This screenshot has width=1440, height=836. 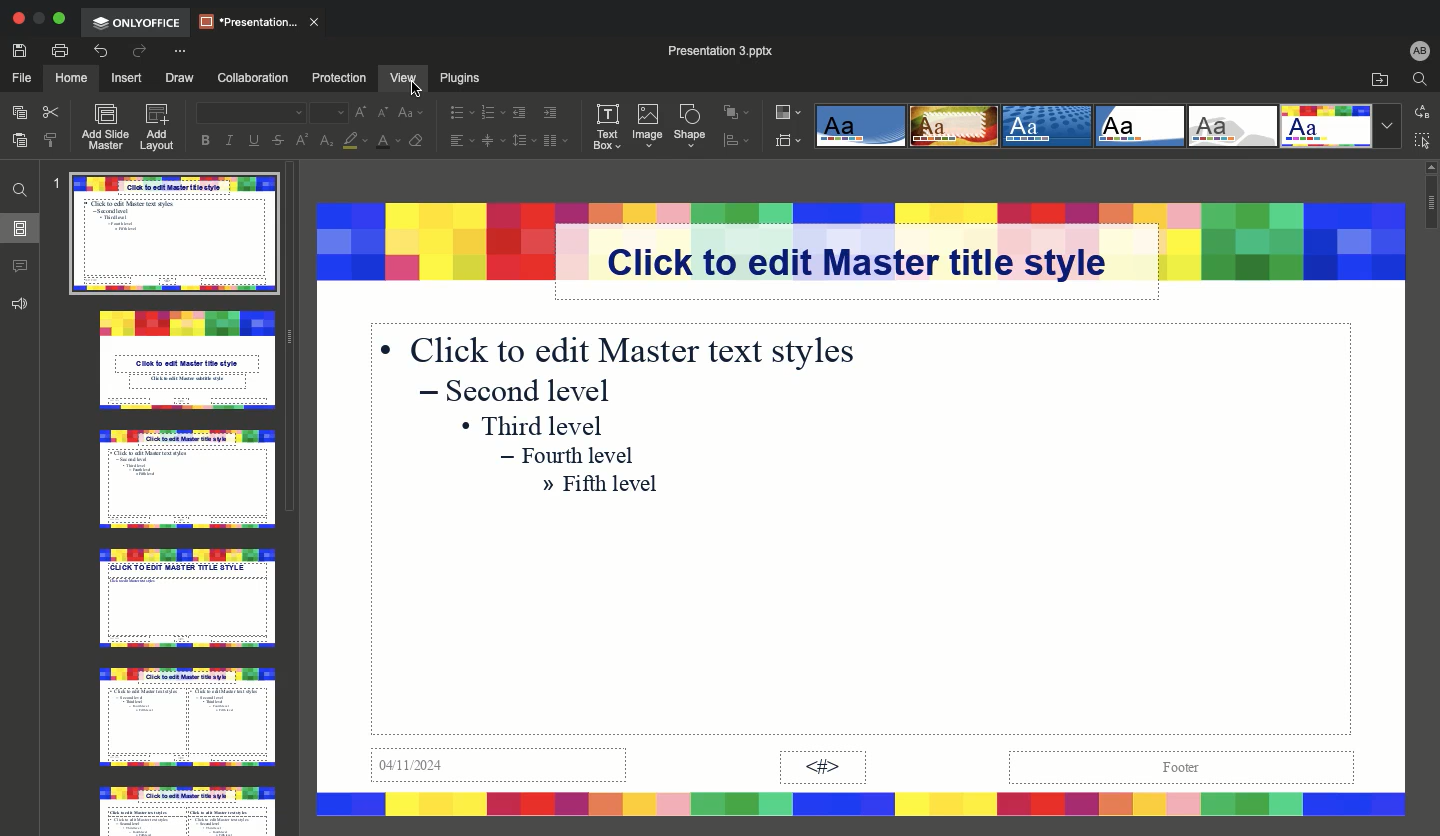 What do you see at coordinates (179, 76) in the screenshot?
I see `Draw` at bounding box center [179, 76].